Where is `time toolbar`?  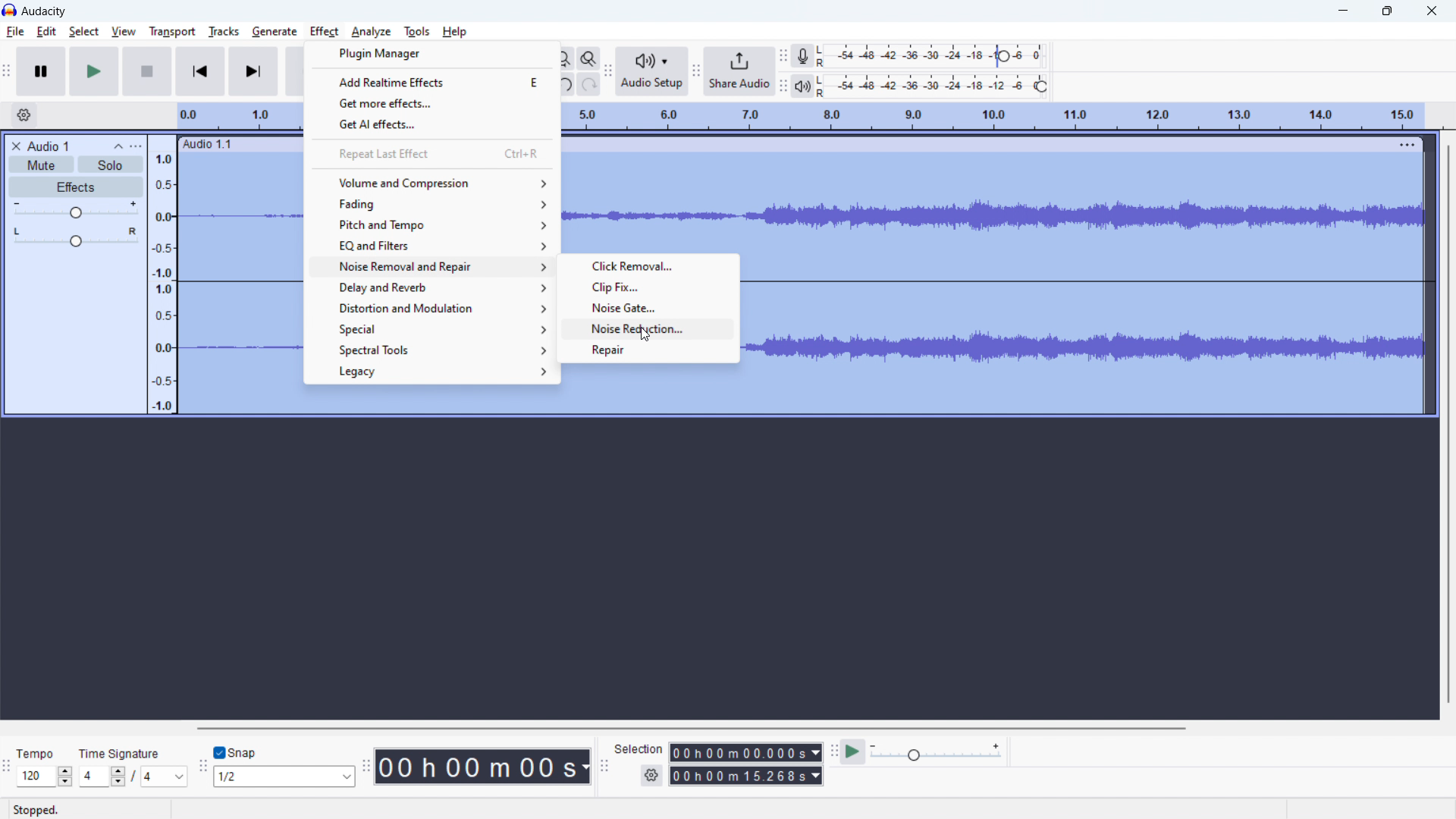
time toolbar is located at coordinates (366, 764).